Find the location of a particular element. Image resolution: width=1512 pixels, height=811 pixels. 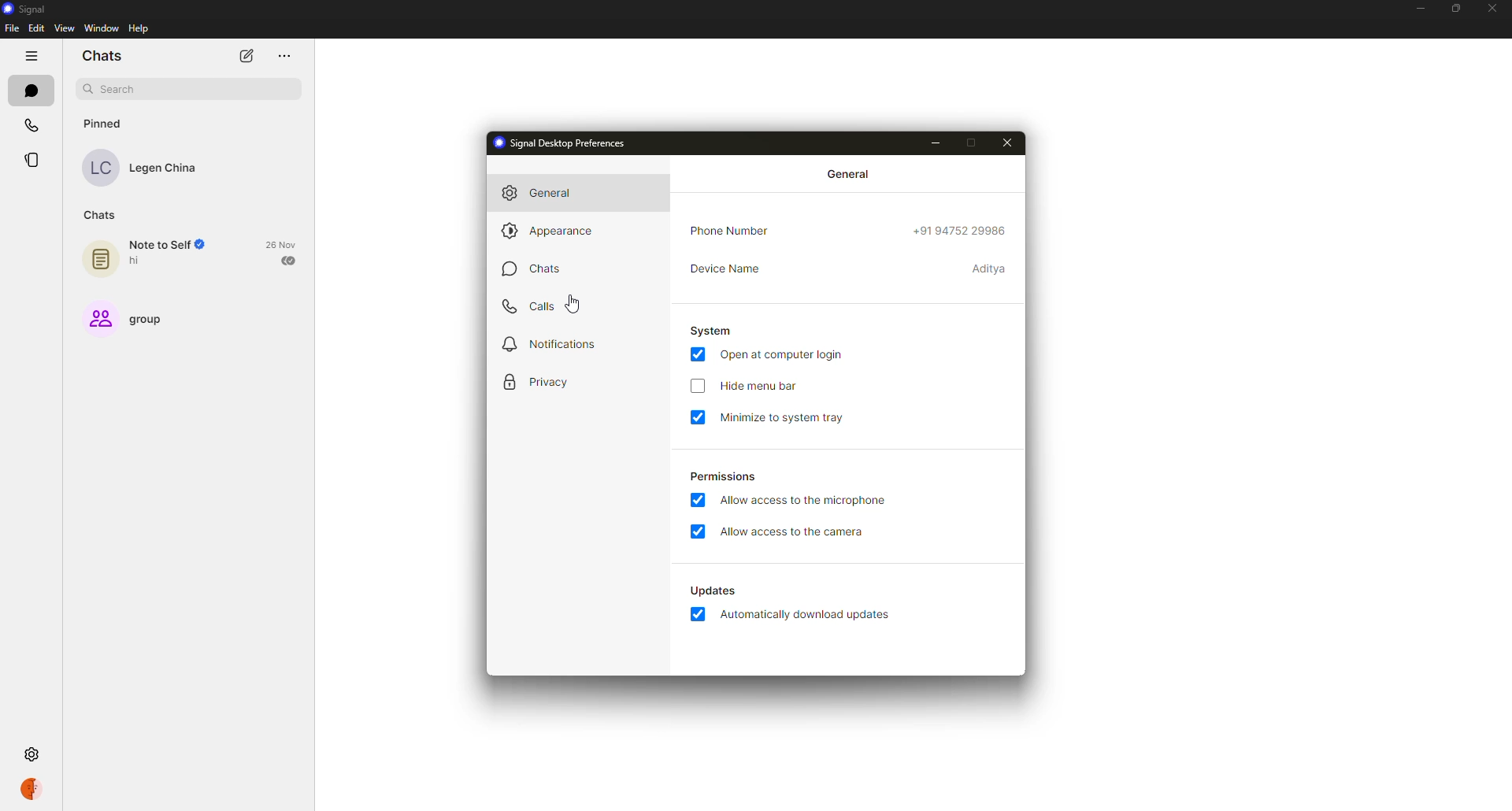

settings is located at coordinates (31, 754).